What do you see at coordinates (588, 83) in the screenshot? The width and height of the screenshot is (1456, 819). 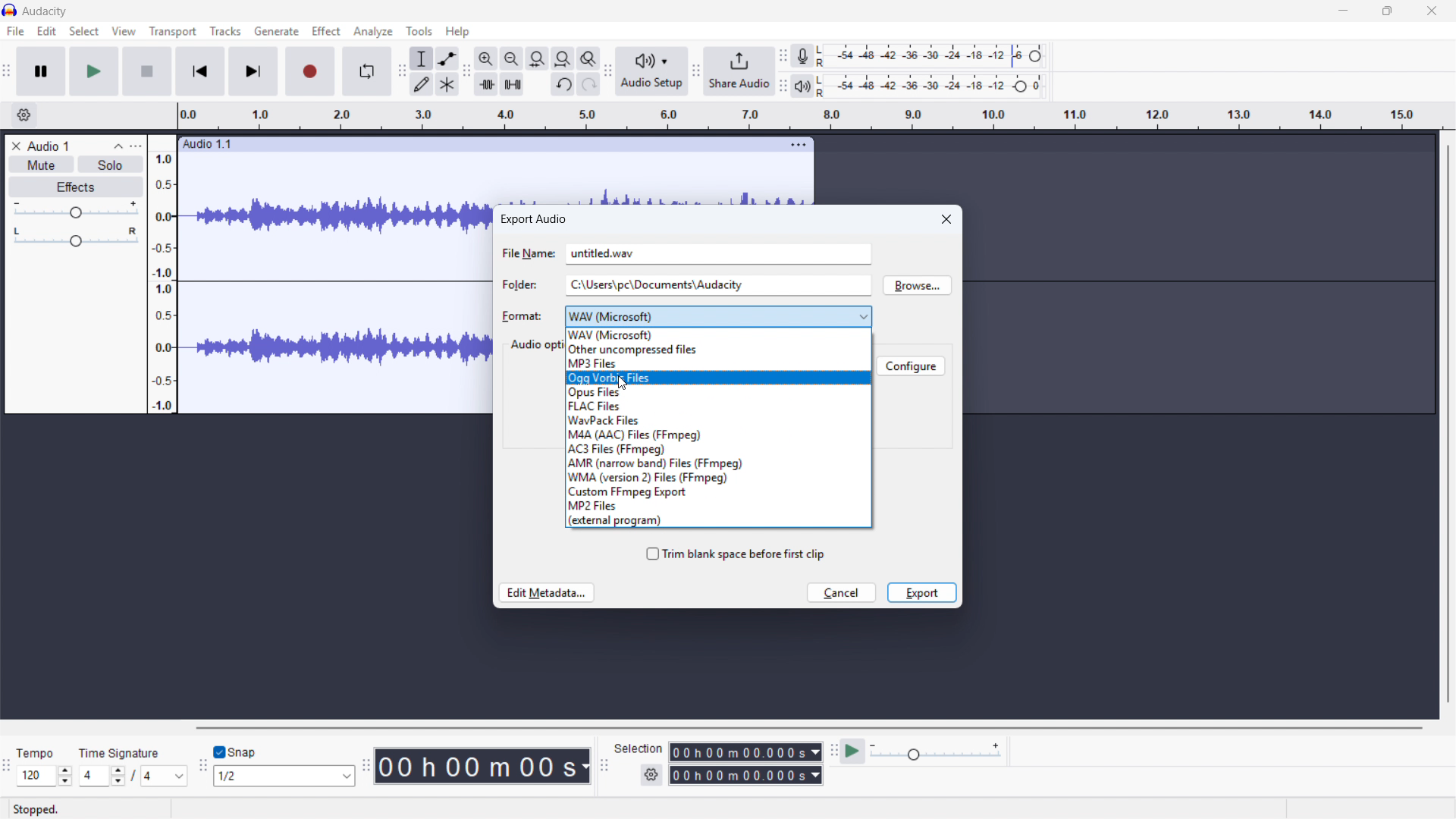 I see `Redo ` at bounding box center [588, 83].